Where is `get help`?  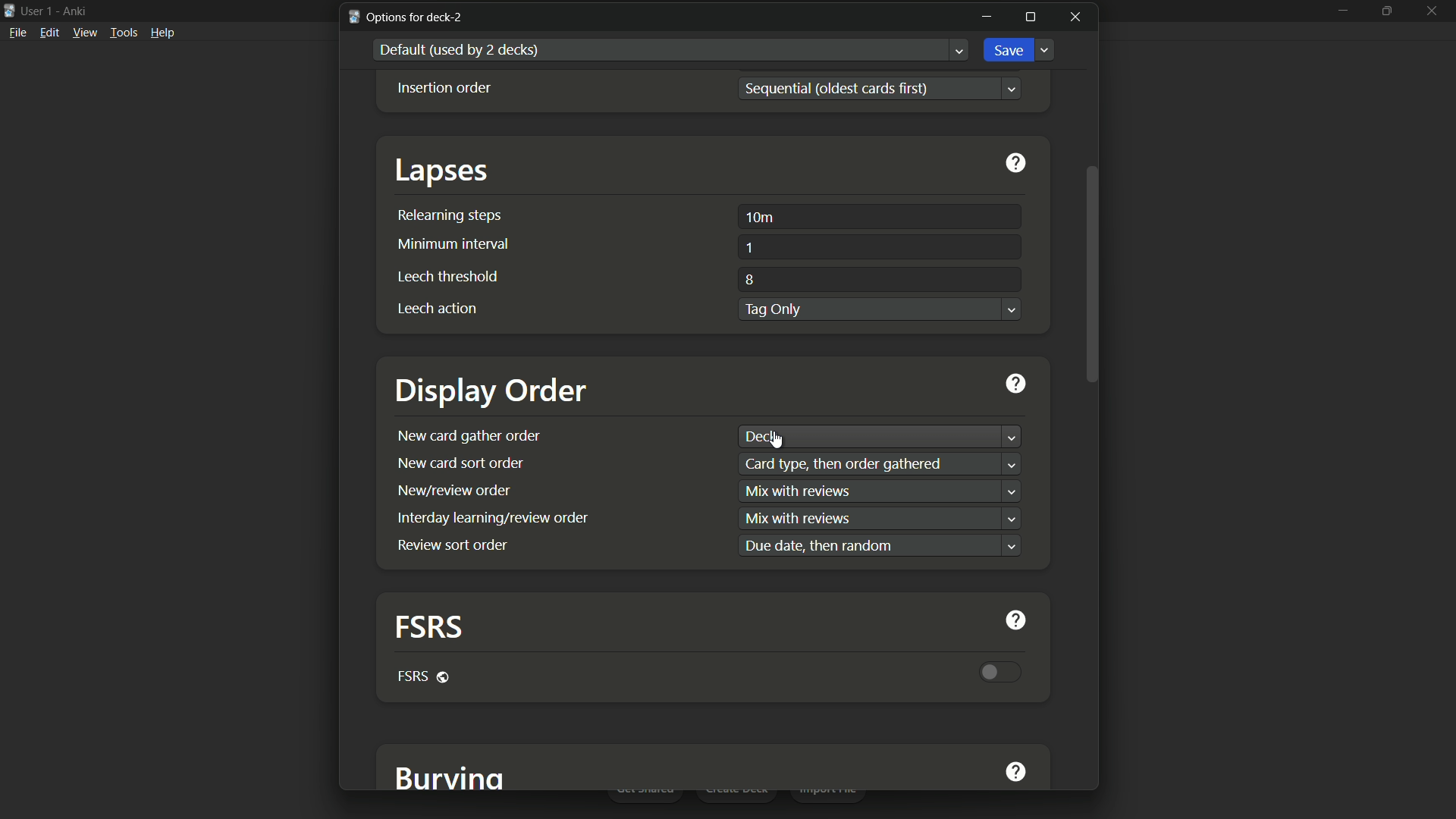
get help is located at coordinates (1016, 770).